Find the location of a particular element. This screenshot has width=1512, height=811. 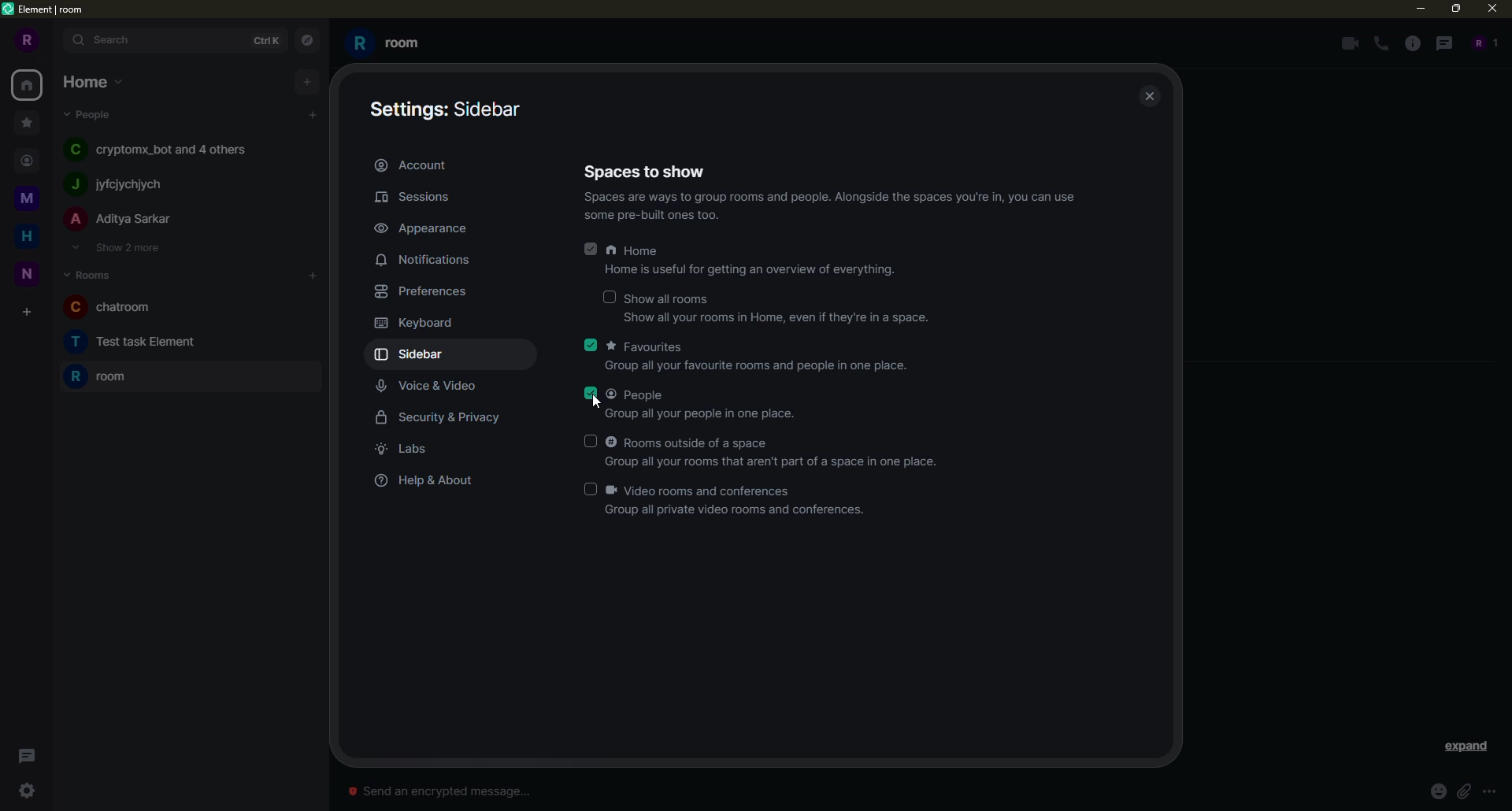

selected is located at coordinates (589, 250).